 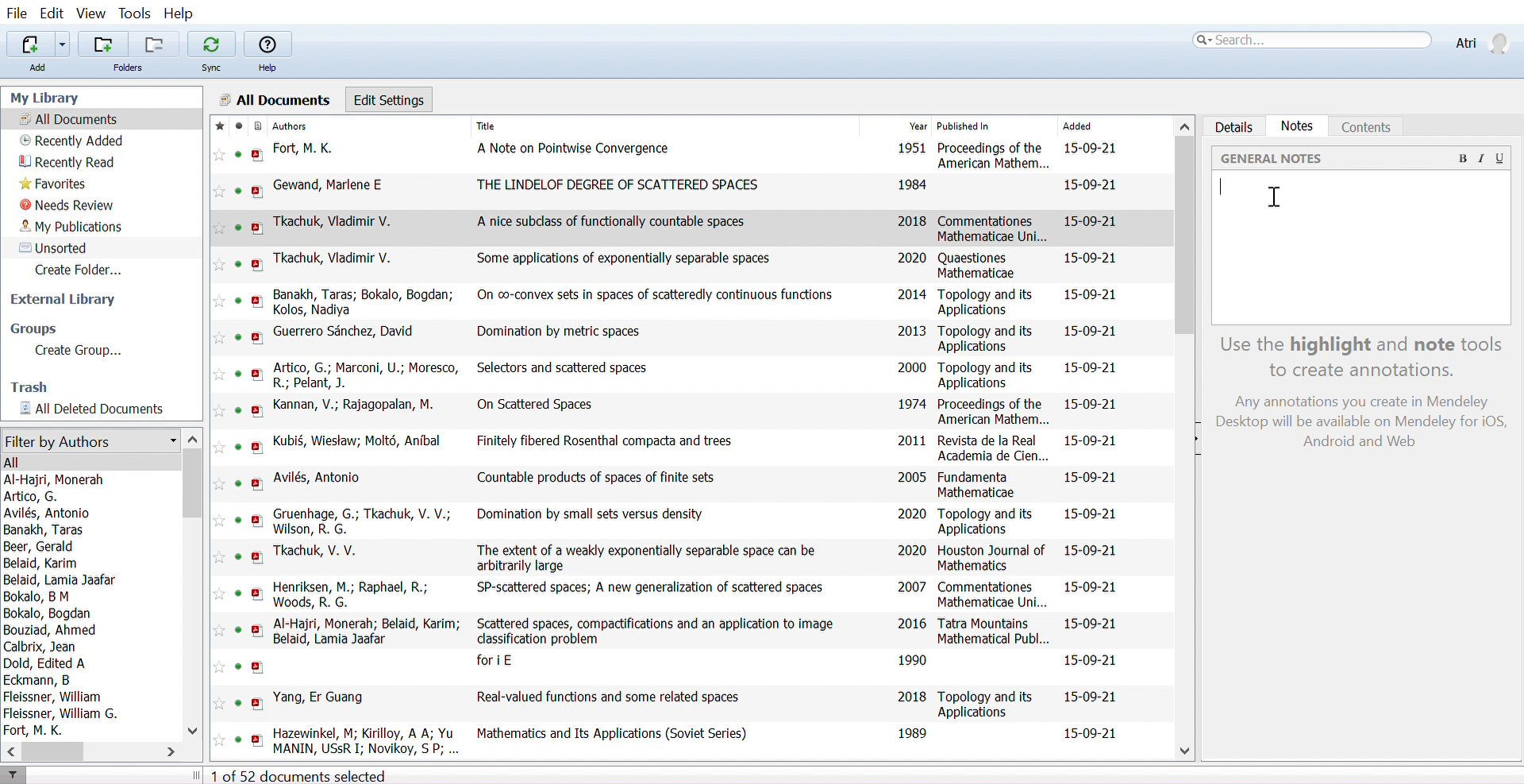 What do you see at coordinates (347, 332) in the screenshot?
I see `Guerrero Sanchez, David` at bounding box center [347, 332].